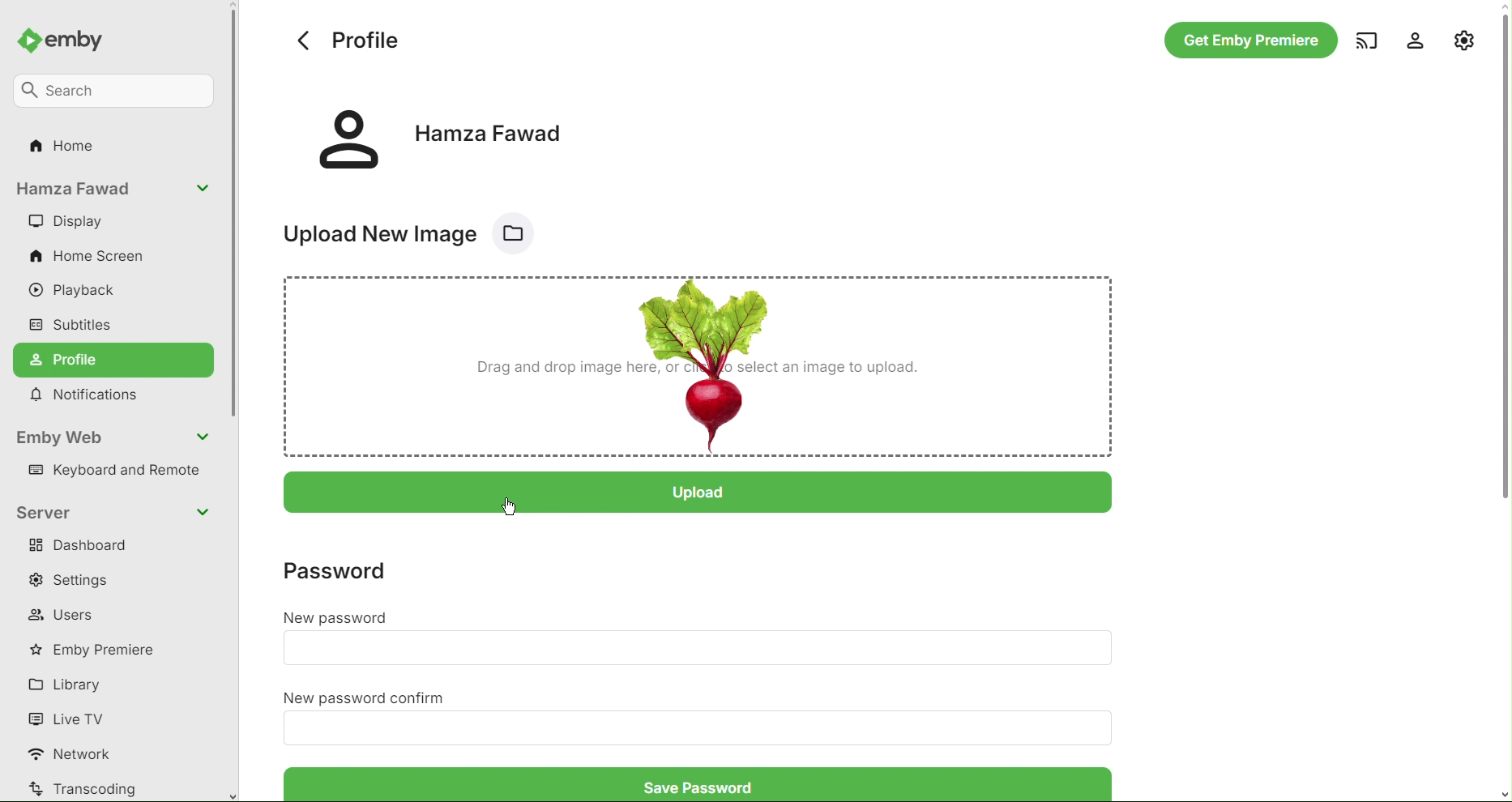 This screenshot has height=802, width=1512. What do you see at coordinates (99, 649) in the screenshot?
I see `Emby Premiere` at bounding box center [99, 649].